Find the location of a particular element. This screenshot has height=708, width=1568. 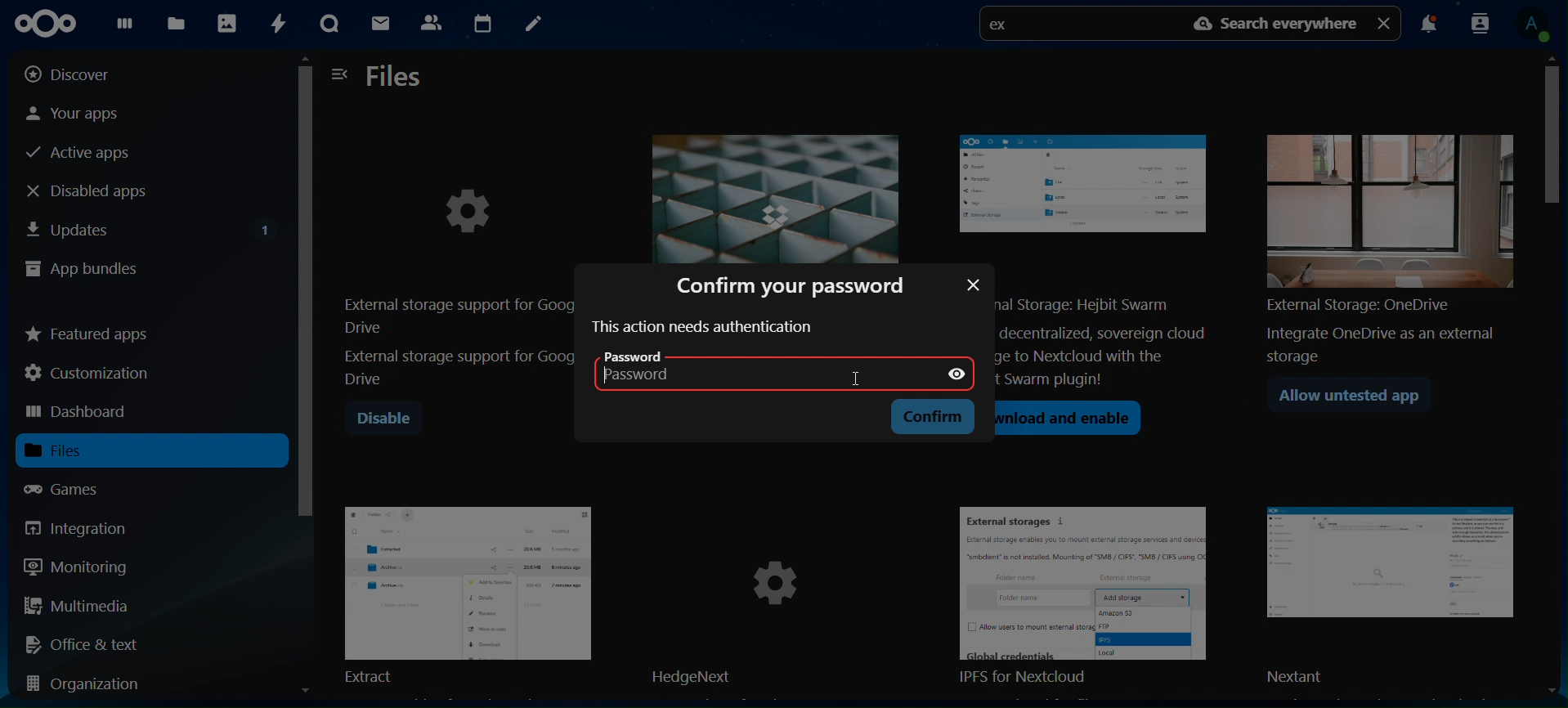

extract is located at coordinates (468, 593).